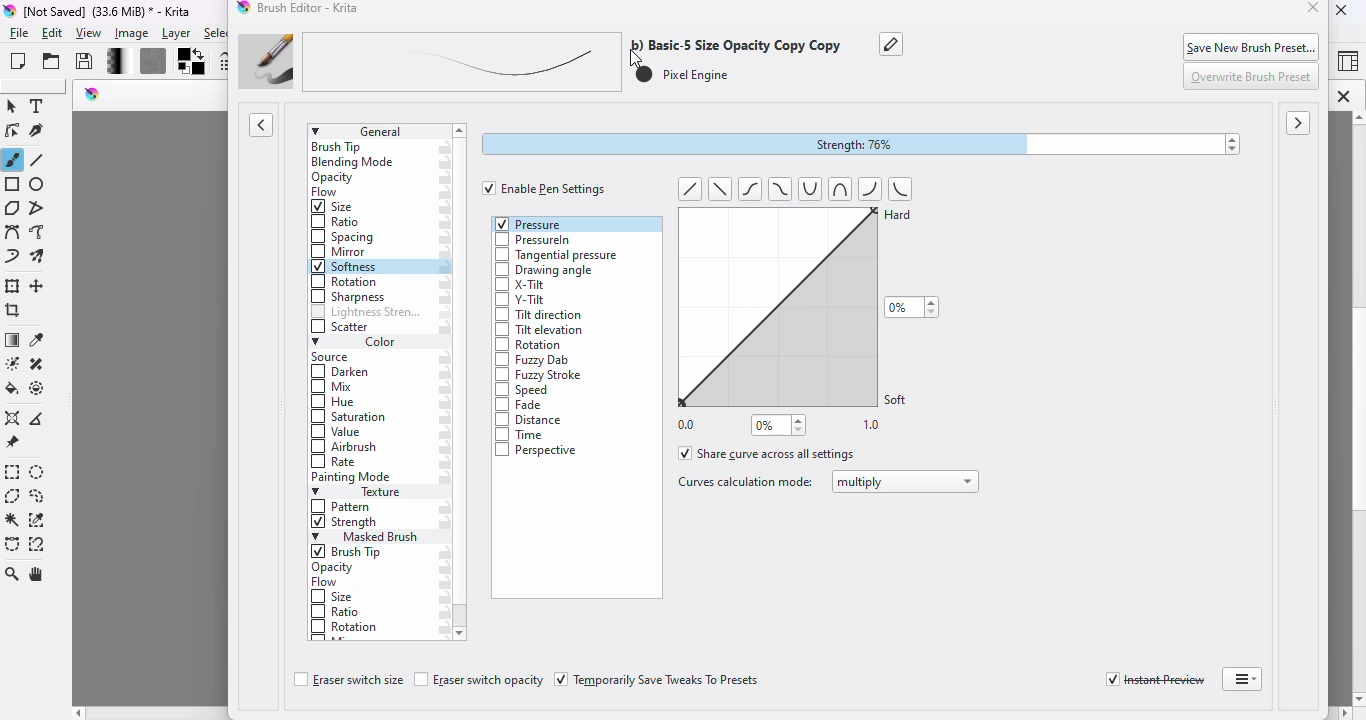 This screenshot has width=1366, height=720. What do you see at coordinates (752, 188) in the screenshot?
I see `tild` at bounding box center [752, 188].